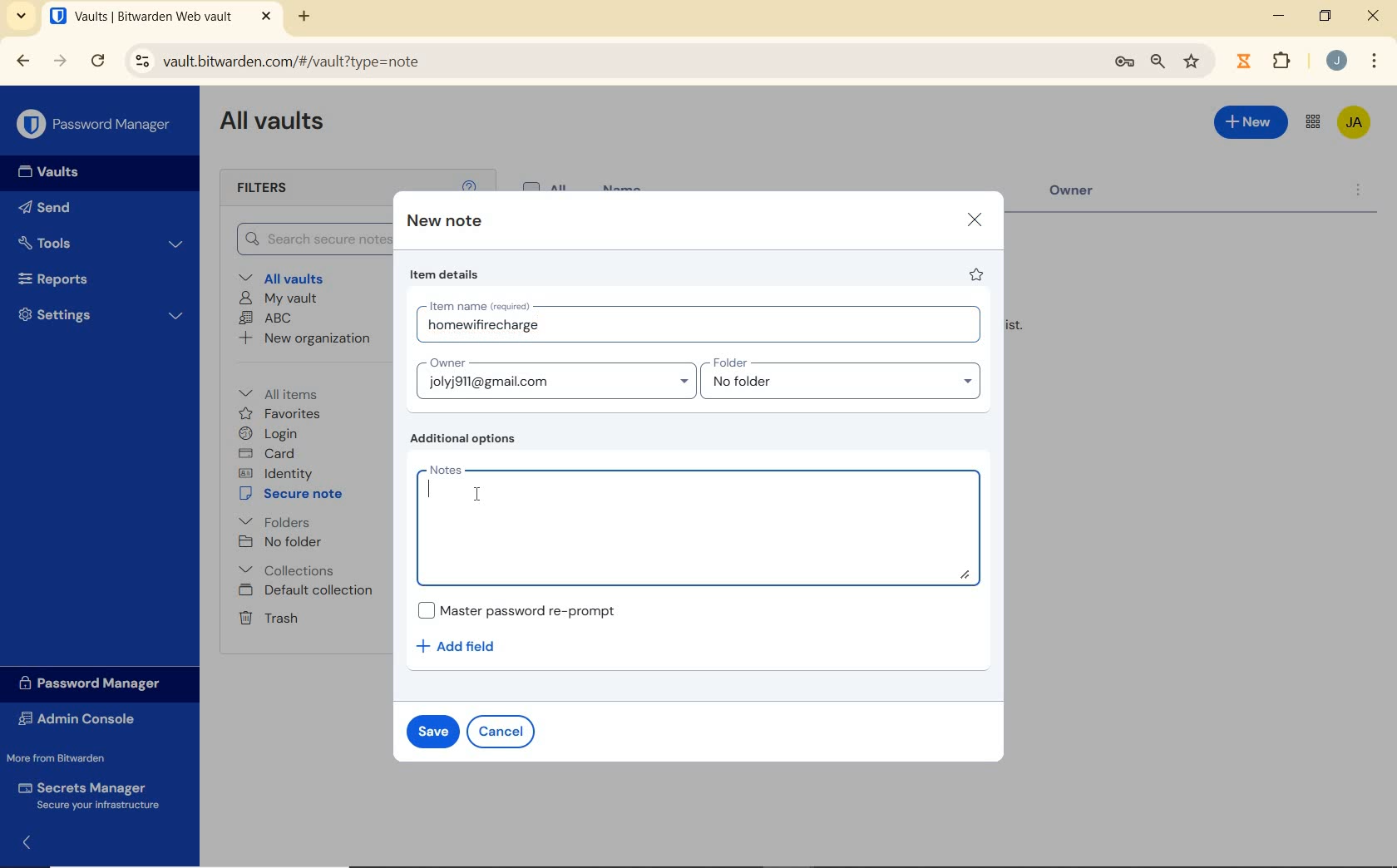 This screenshot has height=868, width=1397. Describe the element at coordinates (290, 392) in the screenshot. I see `All items` at that location.